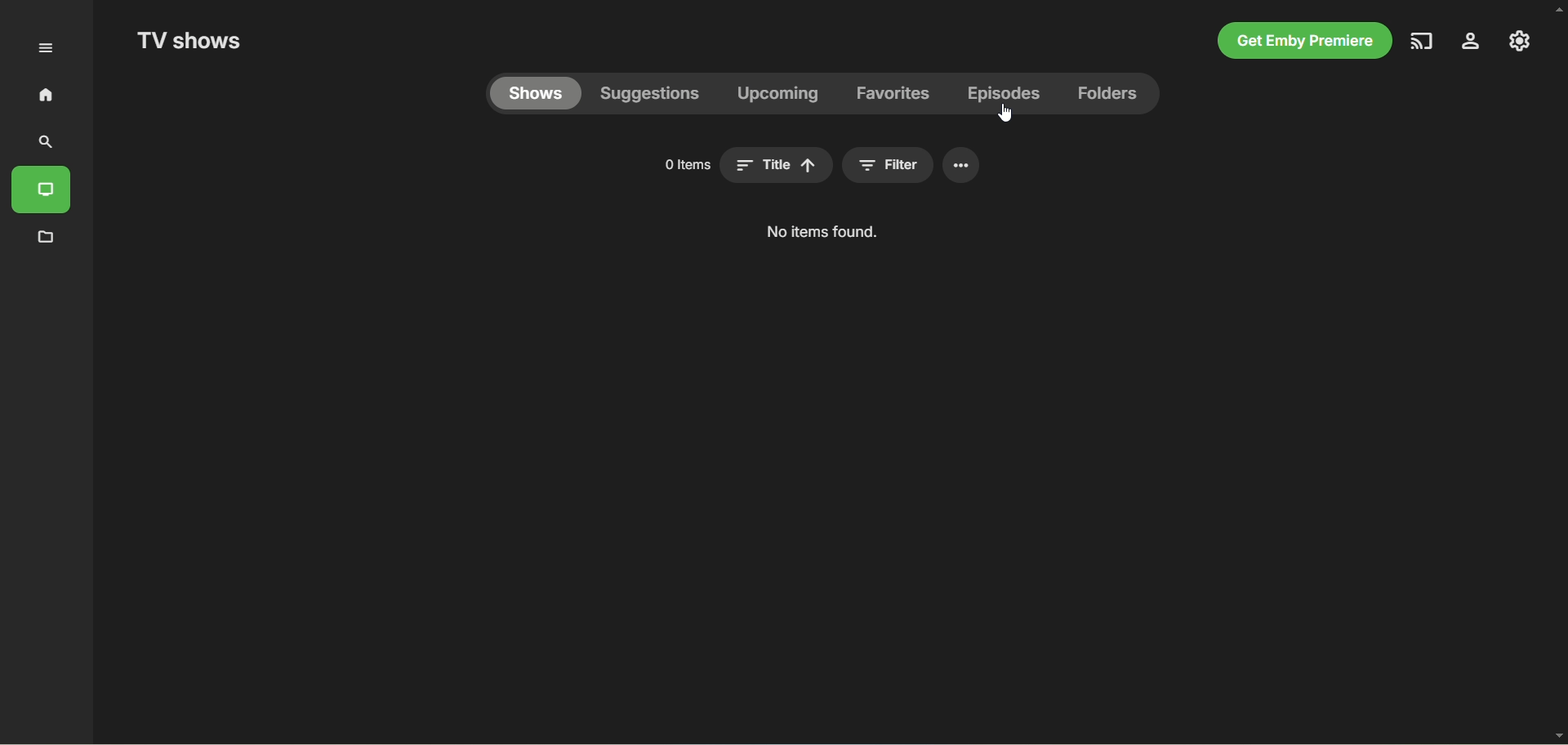 Image resolution: width=1568 pixels, height=745 pixels. I want to click on TV shows, so click(41, 190).